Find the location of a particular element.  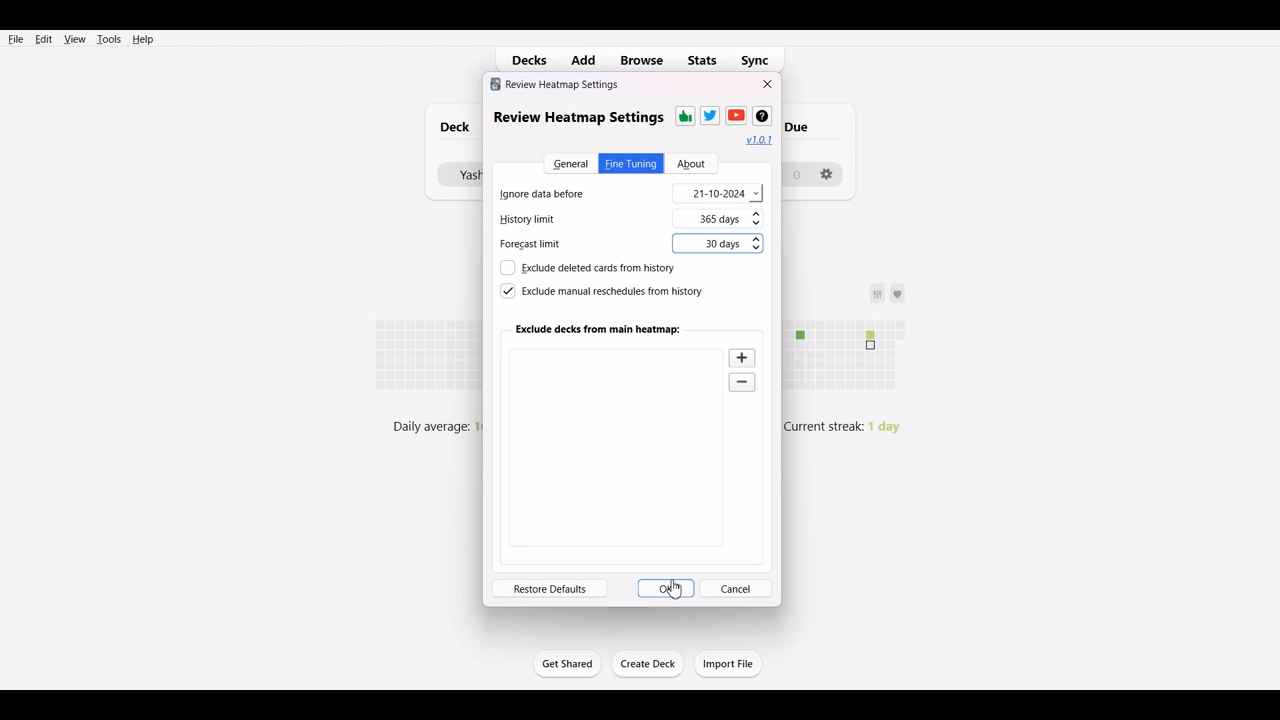

Help is located at coordinates (142, 39).